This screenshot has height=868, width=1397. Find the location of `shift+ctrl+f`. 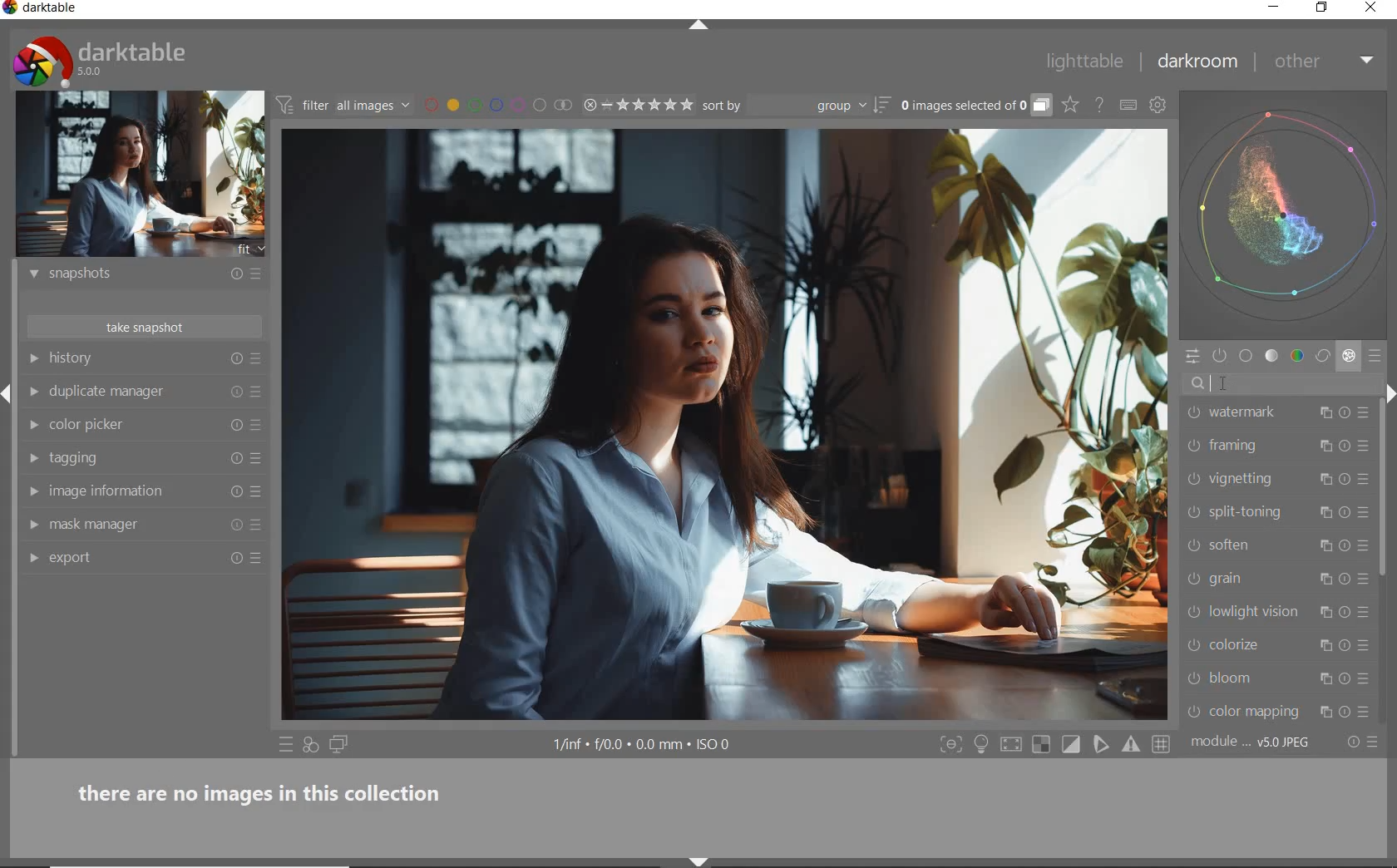

shift+ctrl+f is located at coordinates (951, 745).